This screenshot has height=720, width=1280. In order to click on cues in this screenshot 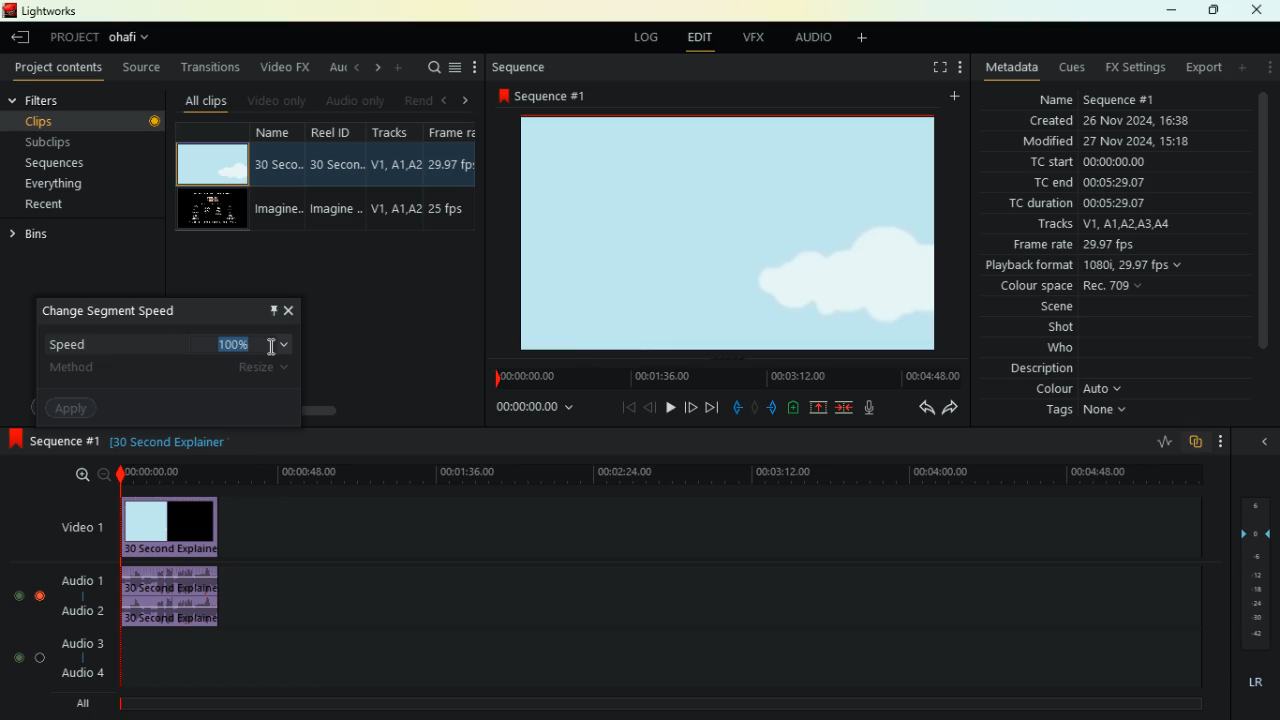, I will do `click(1074, 68)`.